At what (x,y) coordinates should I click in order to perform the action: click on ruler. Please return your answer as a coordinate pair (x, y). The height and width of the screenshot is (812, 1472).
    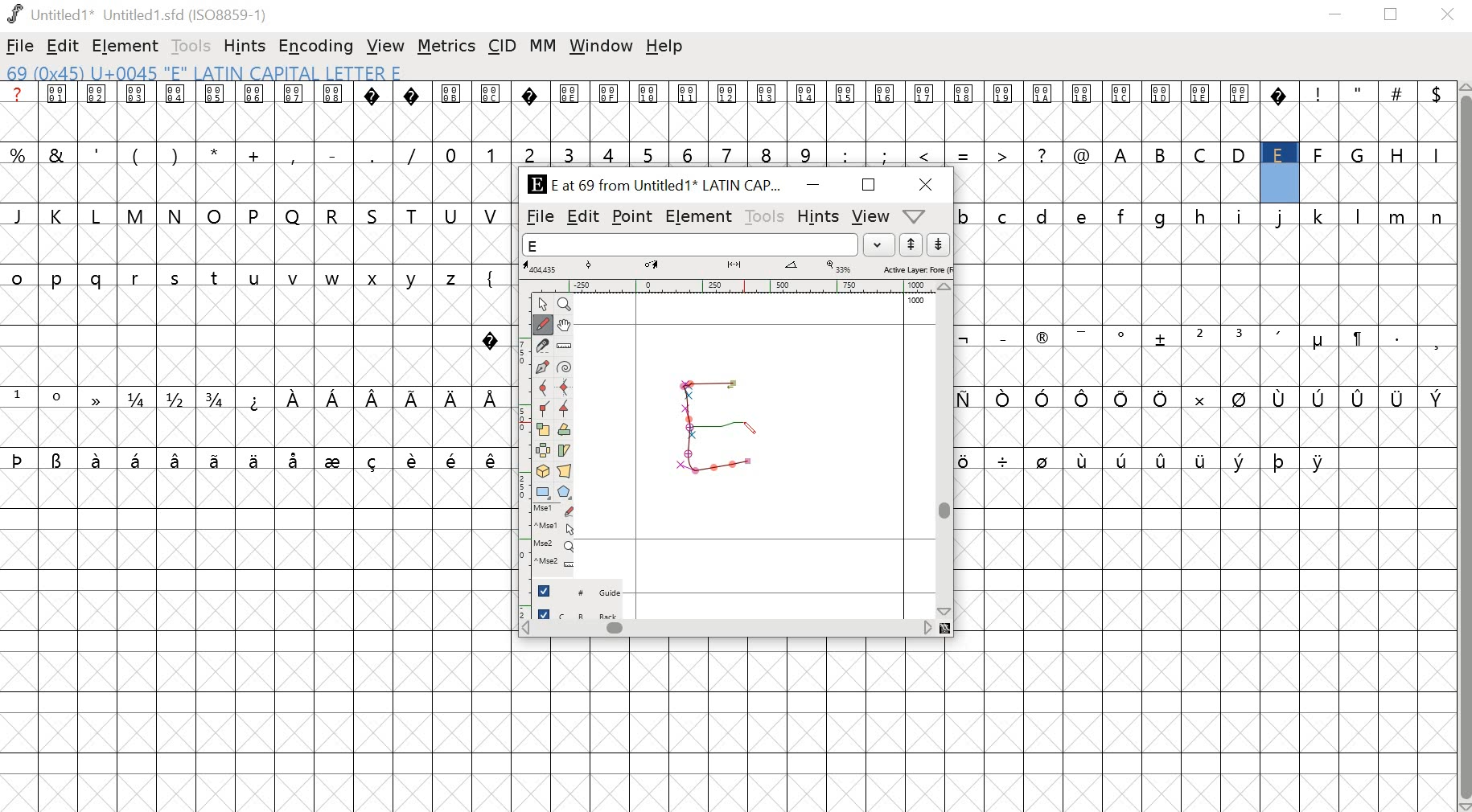
    Looking at the image, I should click on (519, 453).